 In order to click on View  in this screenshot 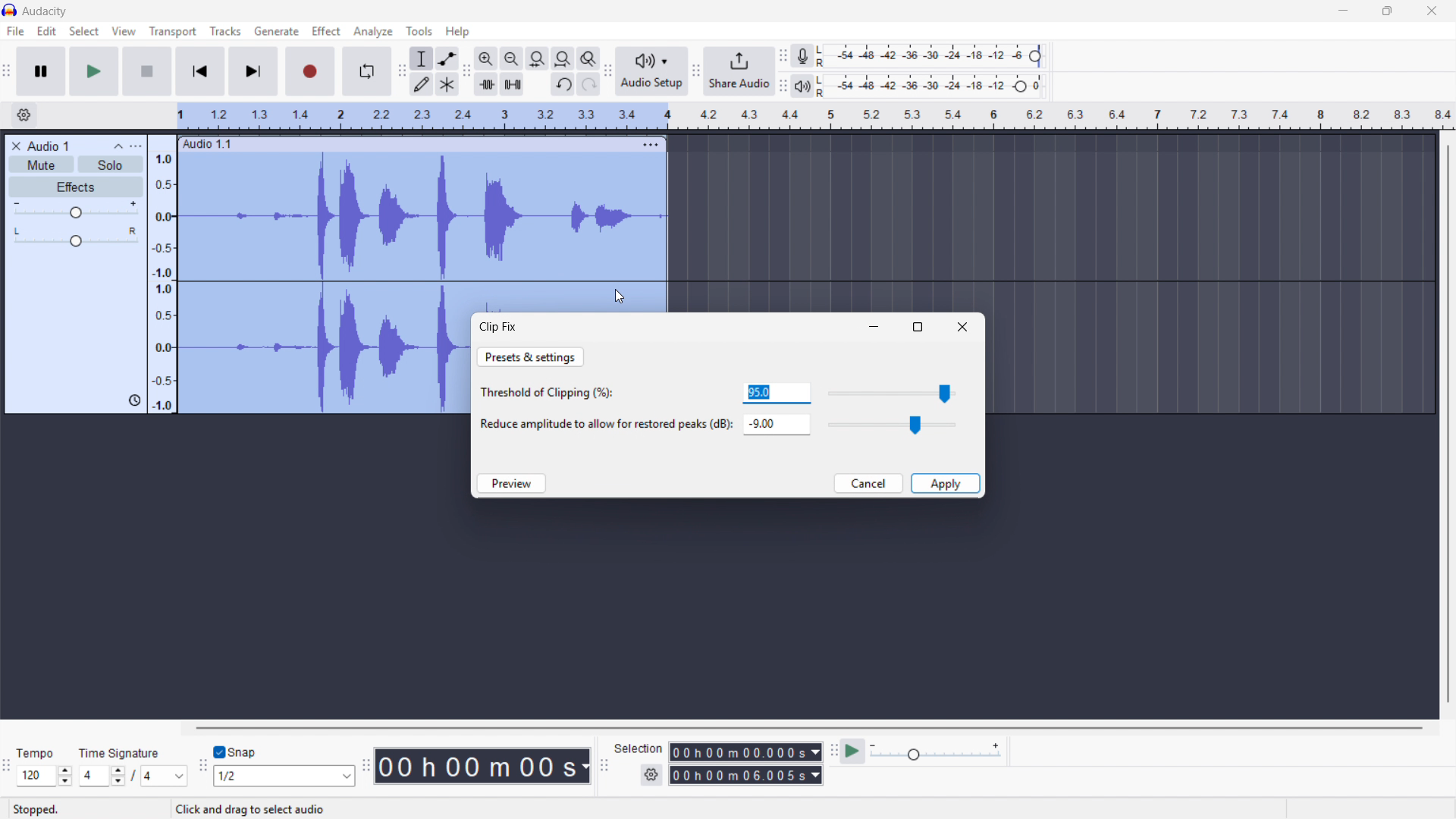, I will do `click(124, 31)`.